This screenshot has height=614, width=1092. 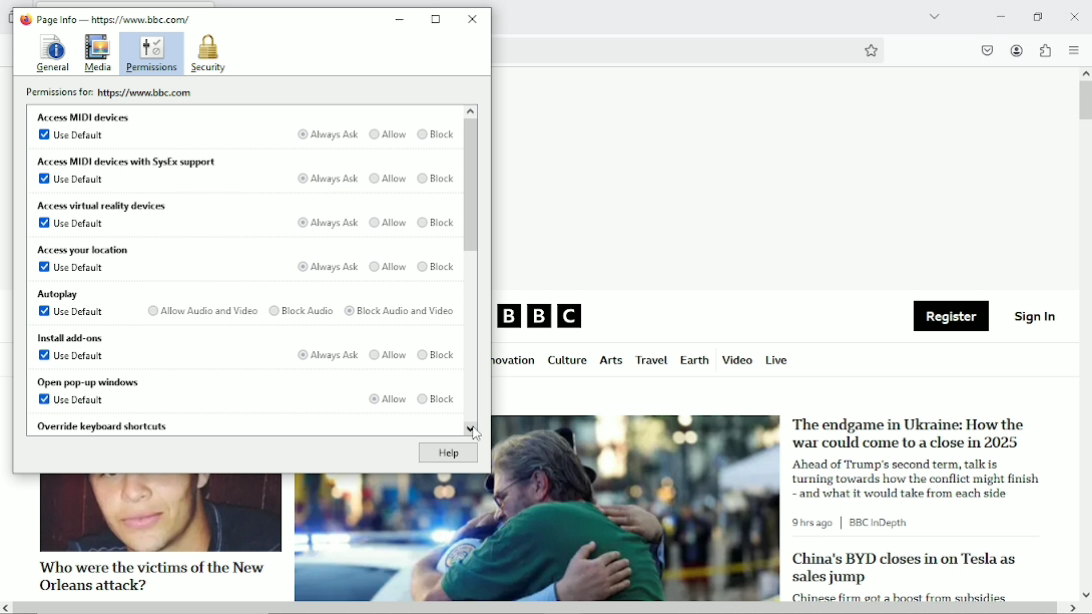 What do you see at coordinates (60, 294) in the screenshot?
I see `Autoplay` at bounding box center [60, 294].